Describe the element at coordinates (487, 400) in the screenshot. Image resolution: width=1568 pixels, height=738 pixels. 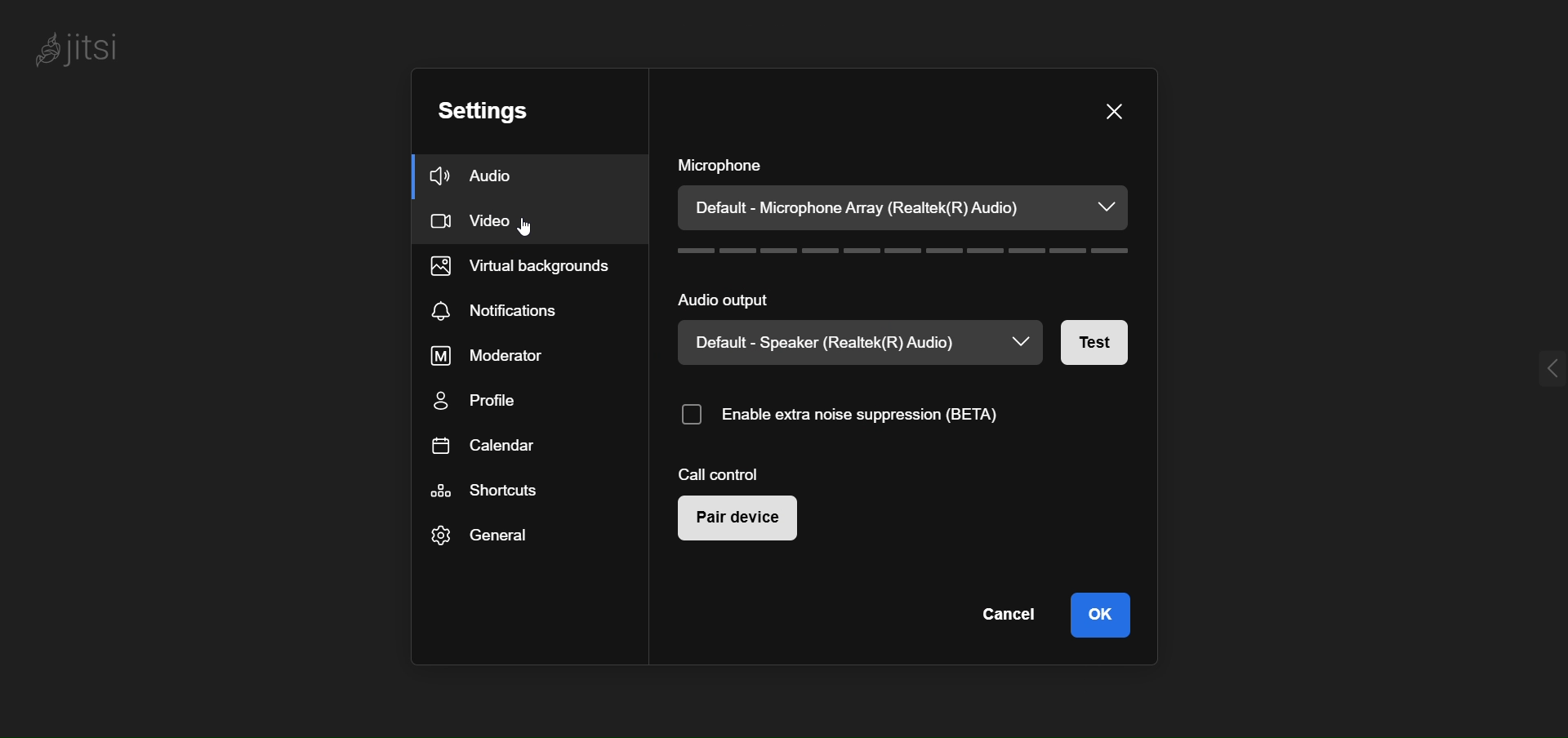
I see `profile` at that location.